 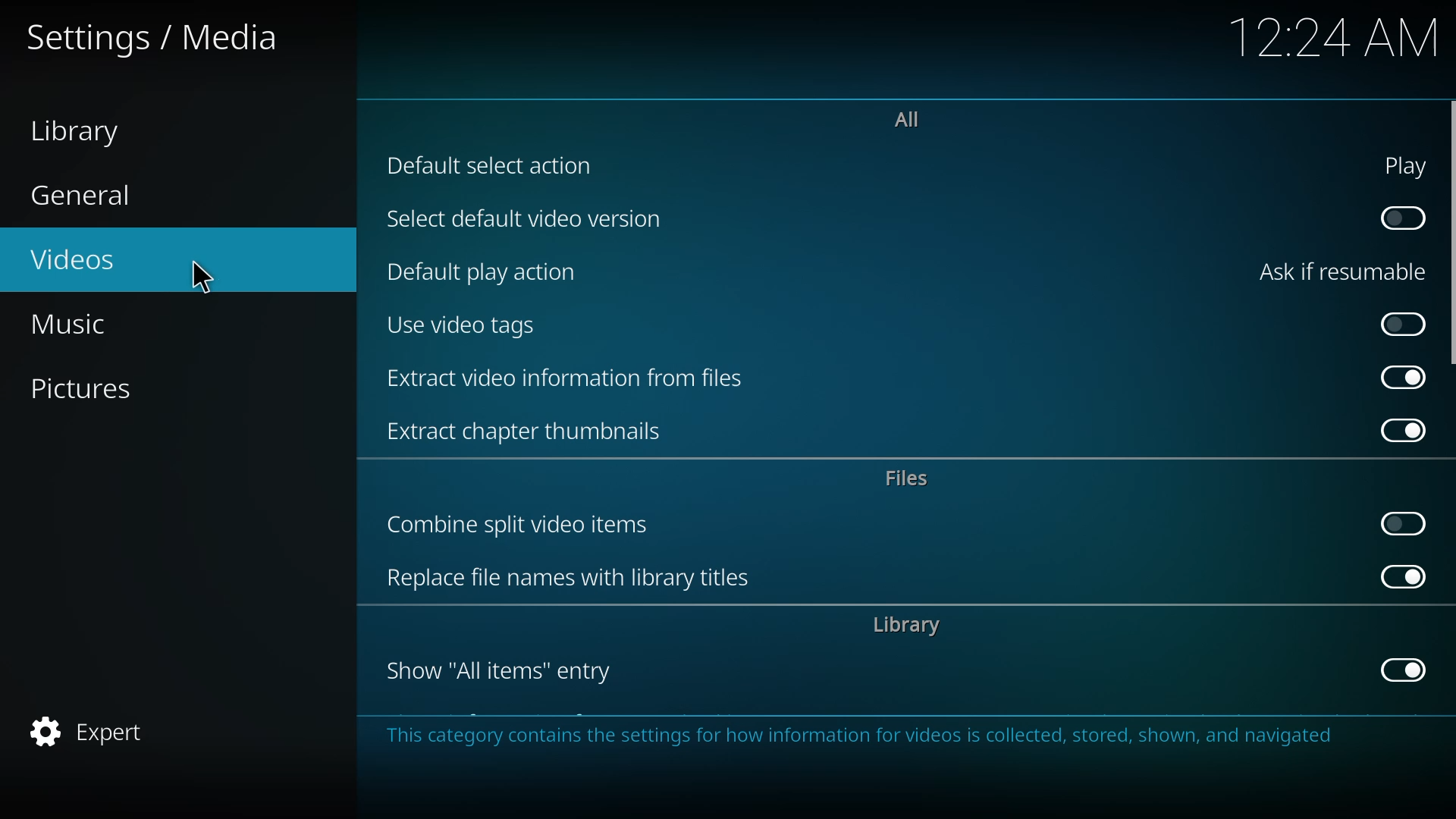 What do you see at coordinates (908, 117) in the screenshot?
I see `all` at bounding box center [908, 117].